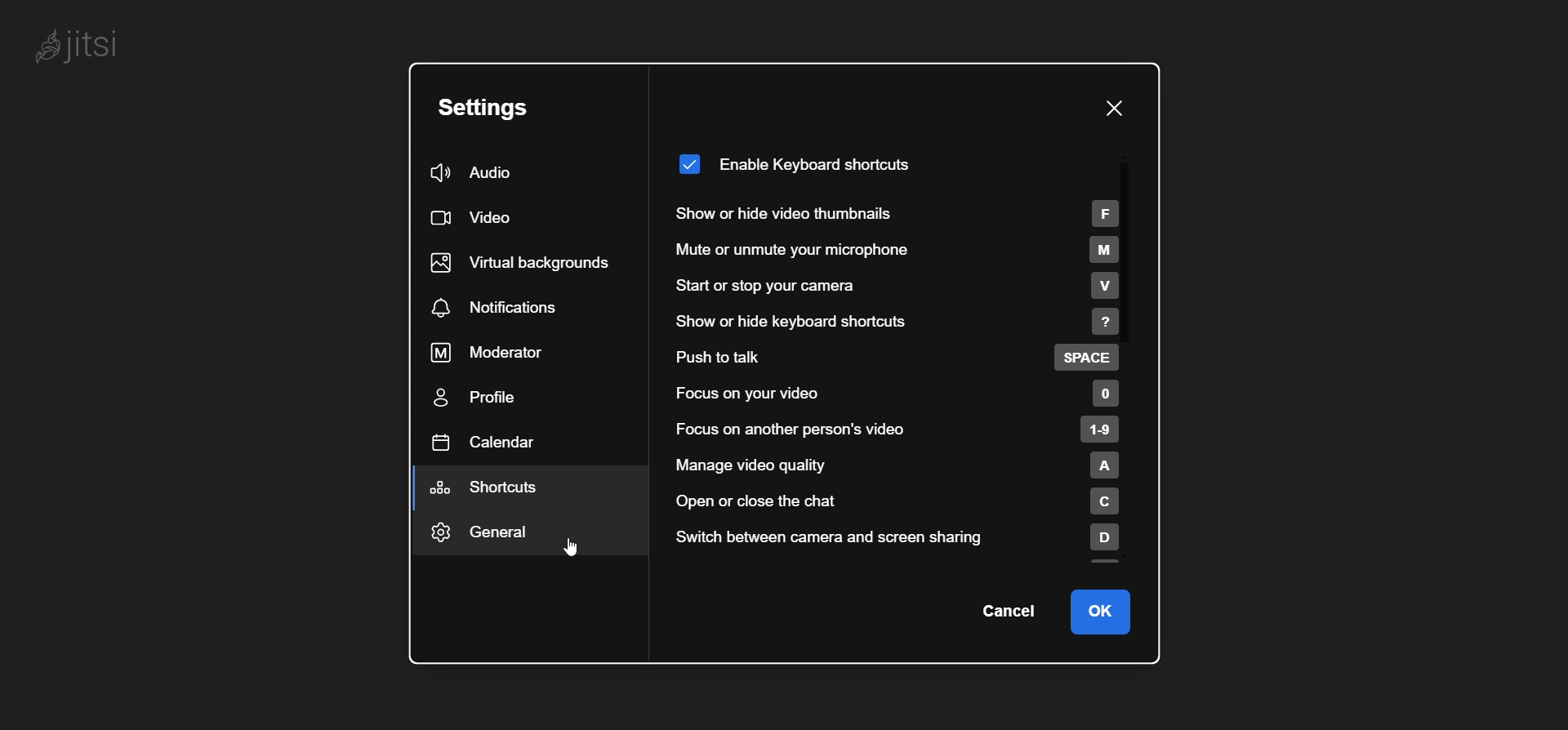 The height and width of the screenshot is (730, 1568). Describe the element at coordinates (901, 210) in the screenshot. I see `show/hide video thumbnails` at that location.